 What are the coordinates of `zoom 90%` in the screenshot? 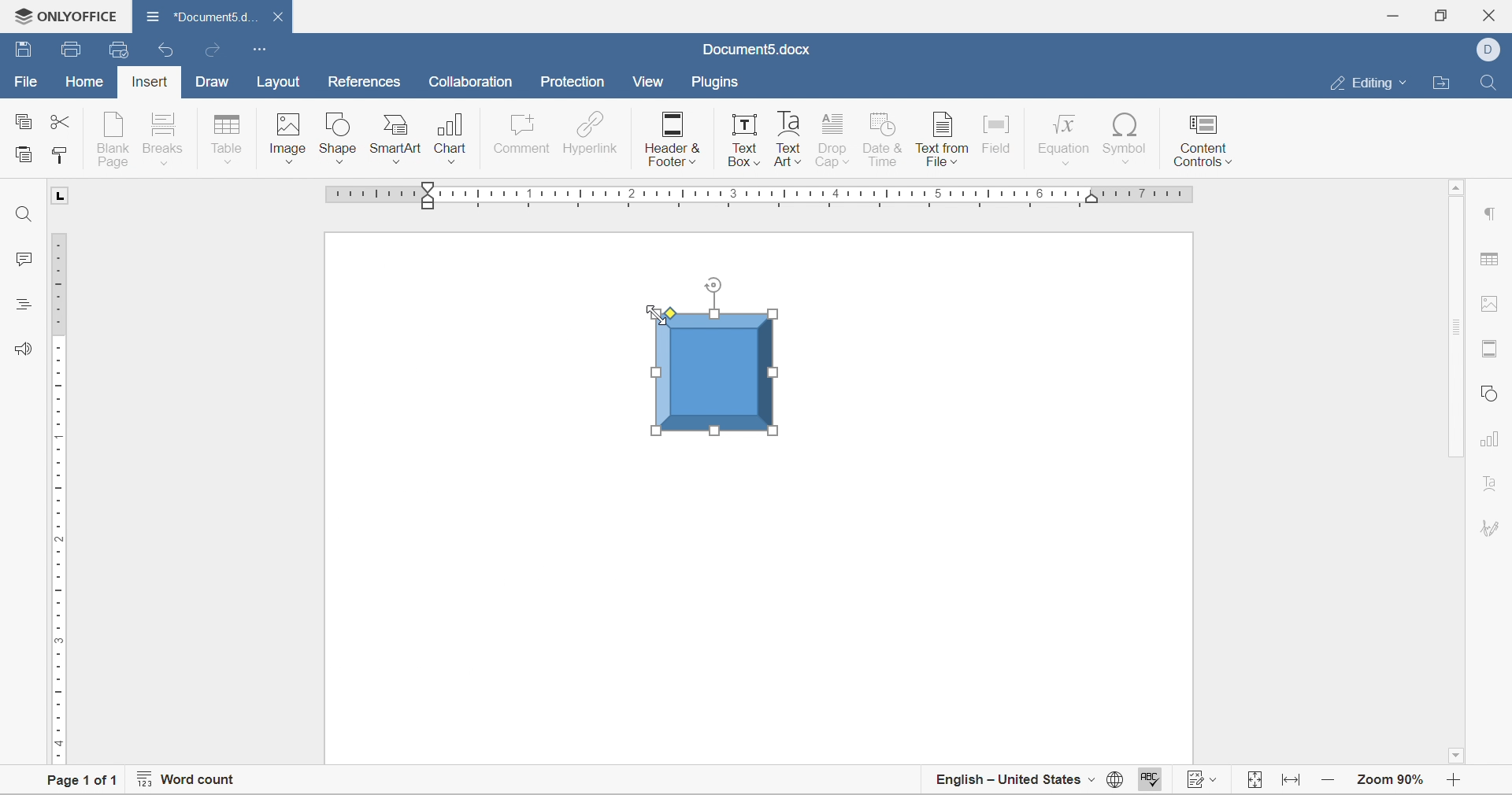 It's located at (1388, 781).